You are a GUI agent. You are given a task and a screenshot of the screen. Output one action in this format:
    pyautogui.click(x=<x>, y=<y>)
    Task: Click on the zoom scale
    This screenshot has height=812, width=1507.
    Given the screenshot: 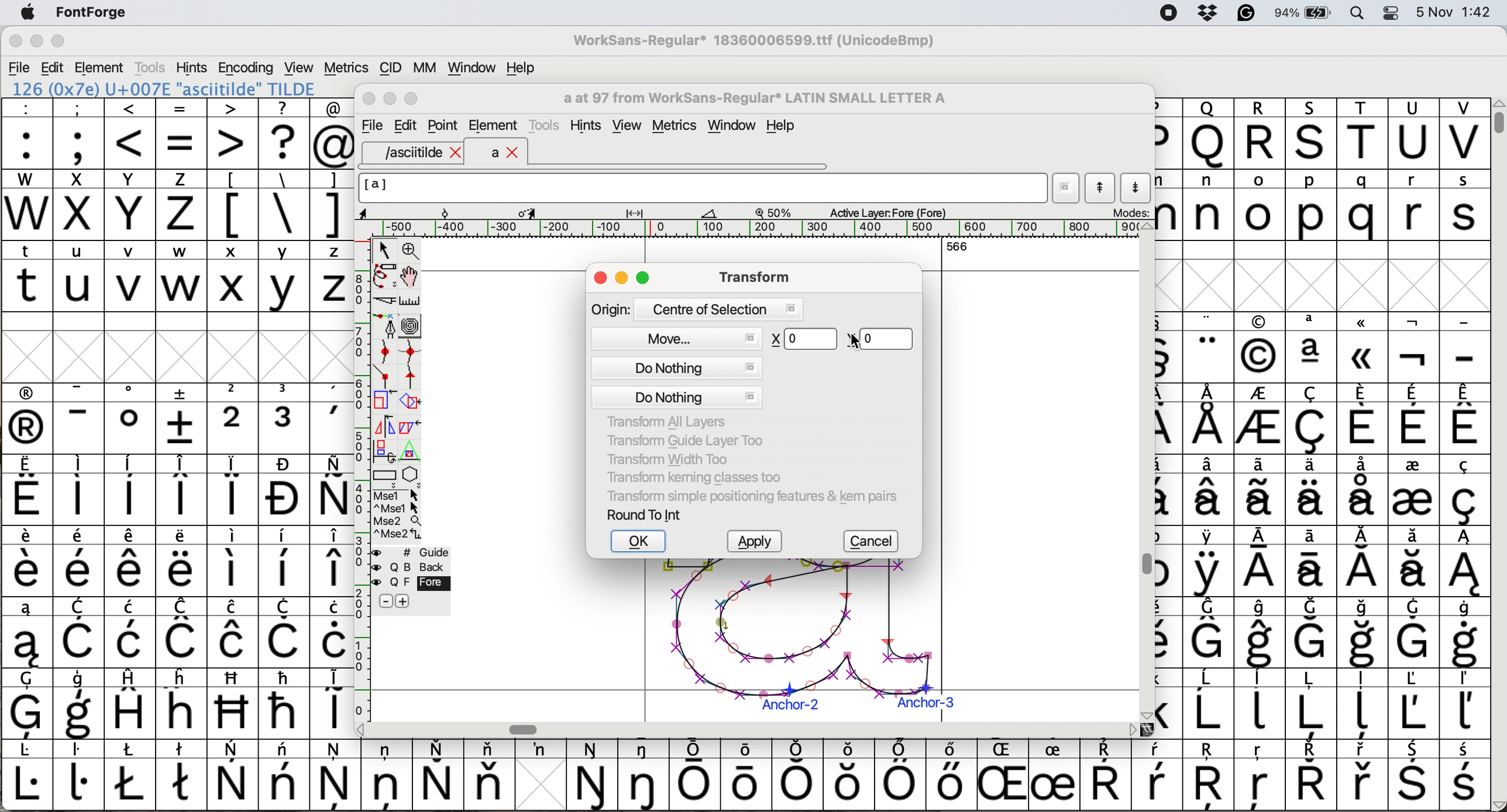 What is the action you would take?
    pyautogui.click(x=777, y=212)
    